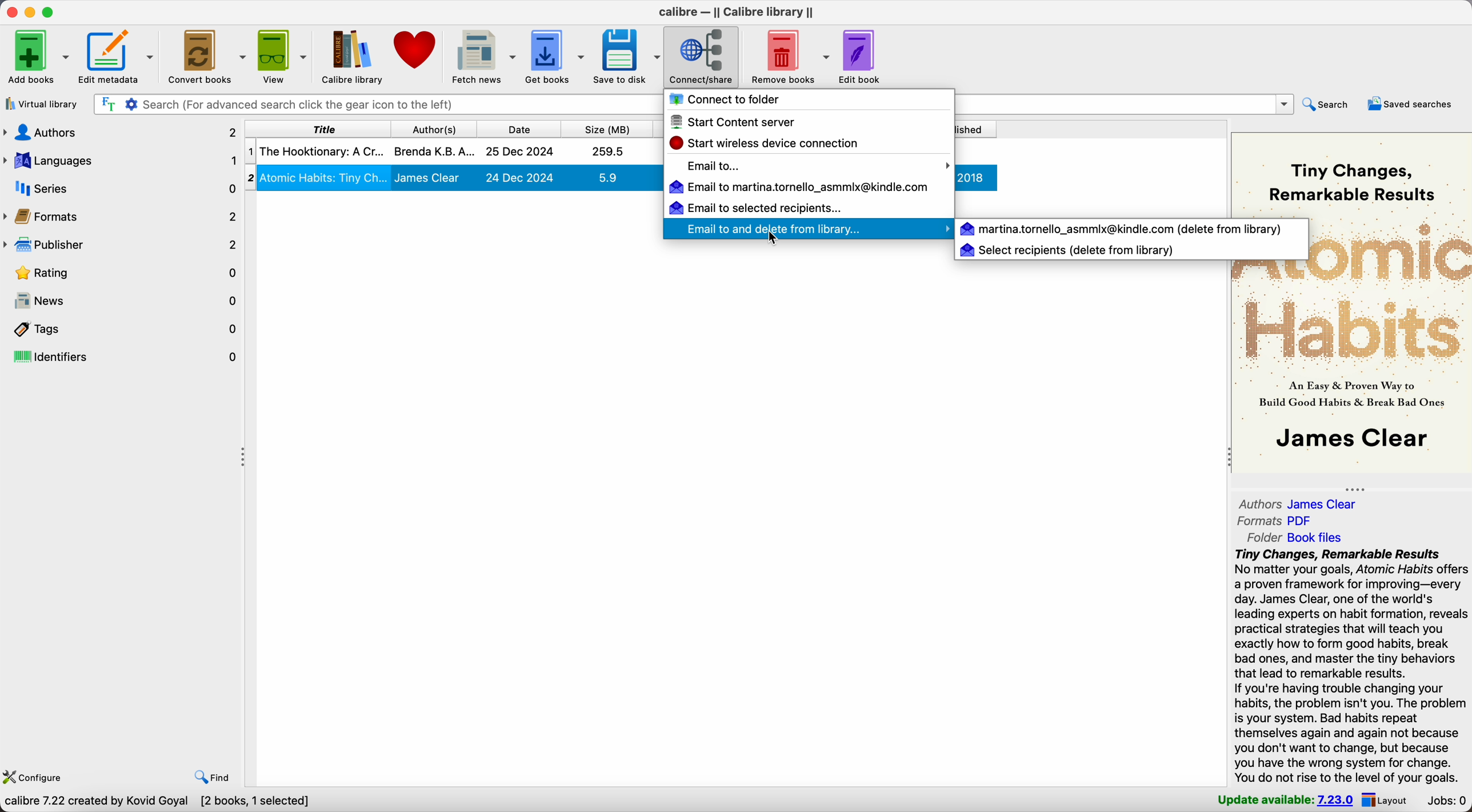  What do you see at coordinates (122, 272) in the screenshot?
I see `rating` at bounding box center [122, 272].